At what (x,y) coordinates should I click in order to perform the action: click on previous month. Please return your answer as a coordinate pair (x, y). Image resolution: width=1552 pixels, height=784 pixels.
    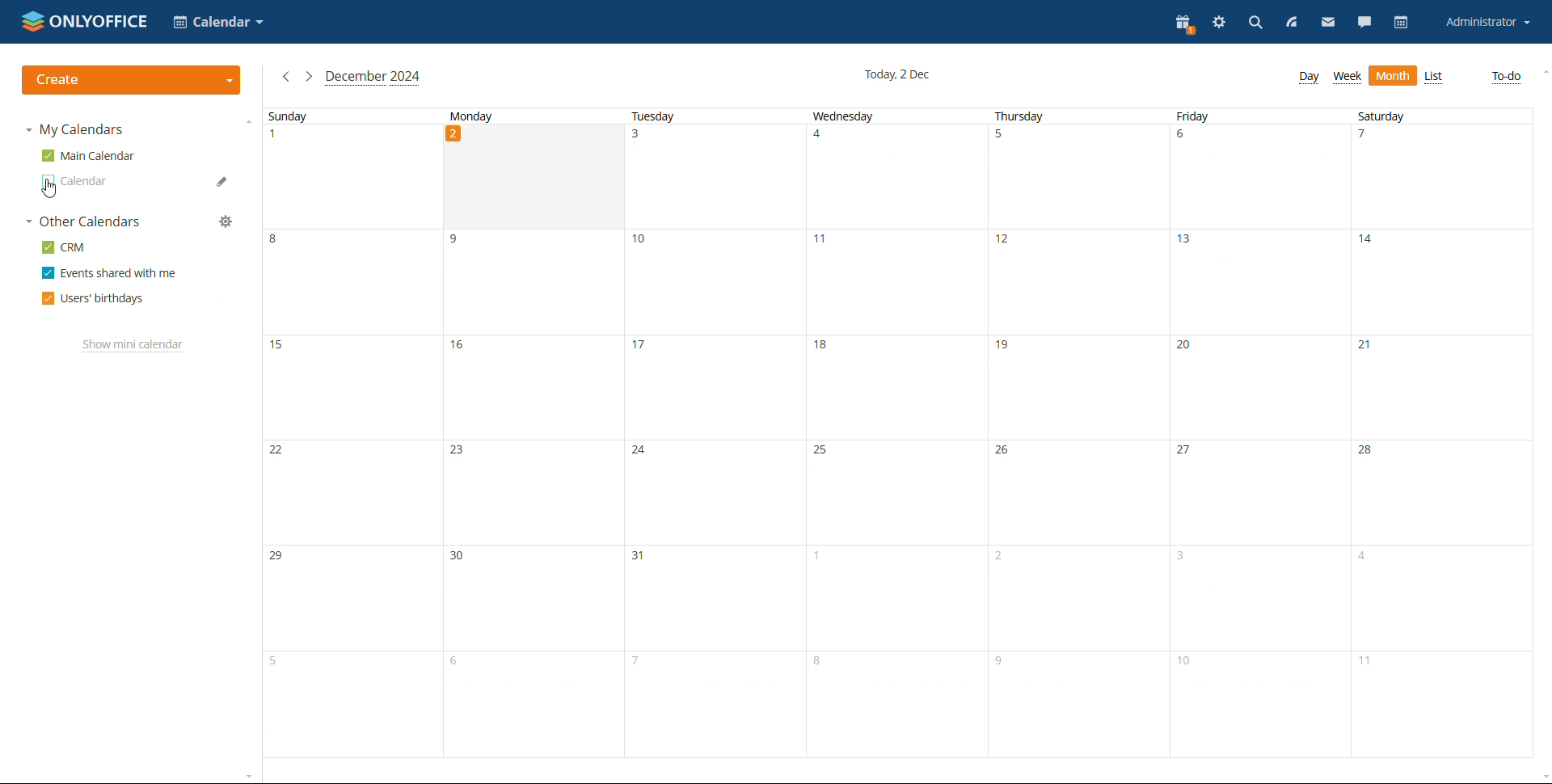
    Looking at the image, I should click on (286, 77).